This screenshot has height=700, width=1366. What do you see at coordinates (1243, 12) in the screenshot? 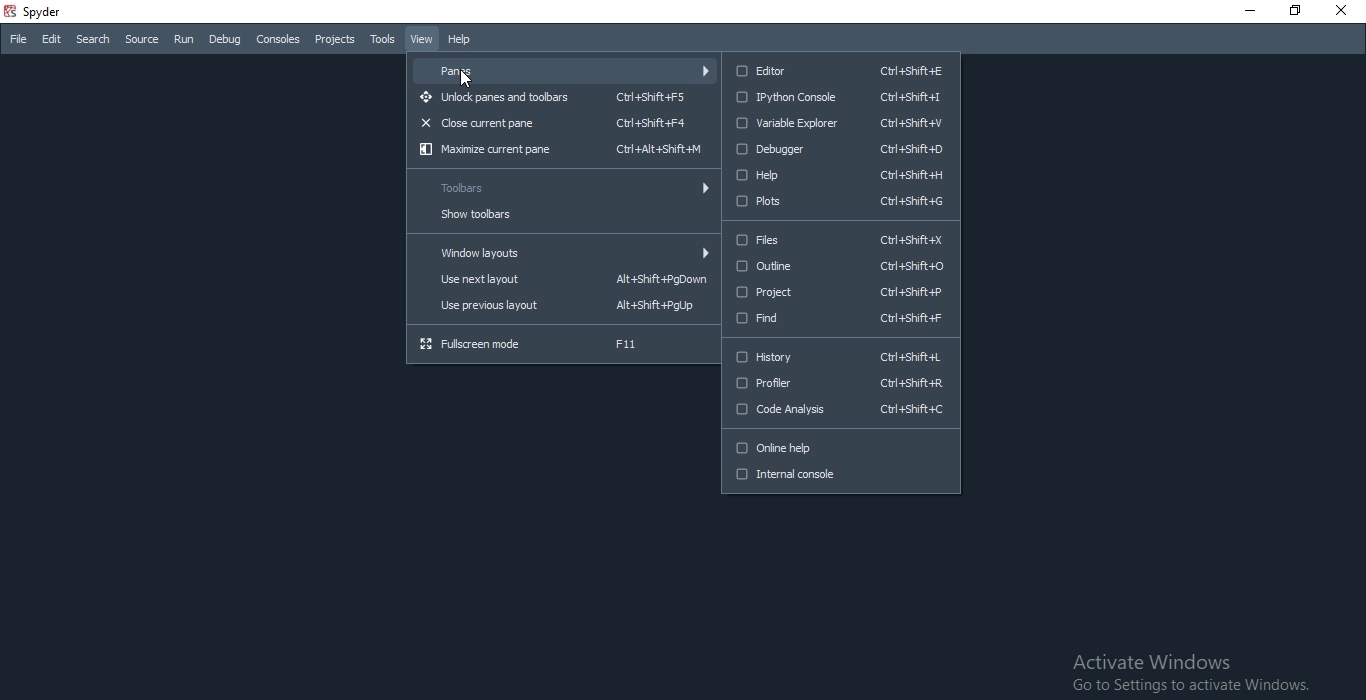
I see `Minimise` at bounding box center [1243, 12].